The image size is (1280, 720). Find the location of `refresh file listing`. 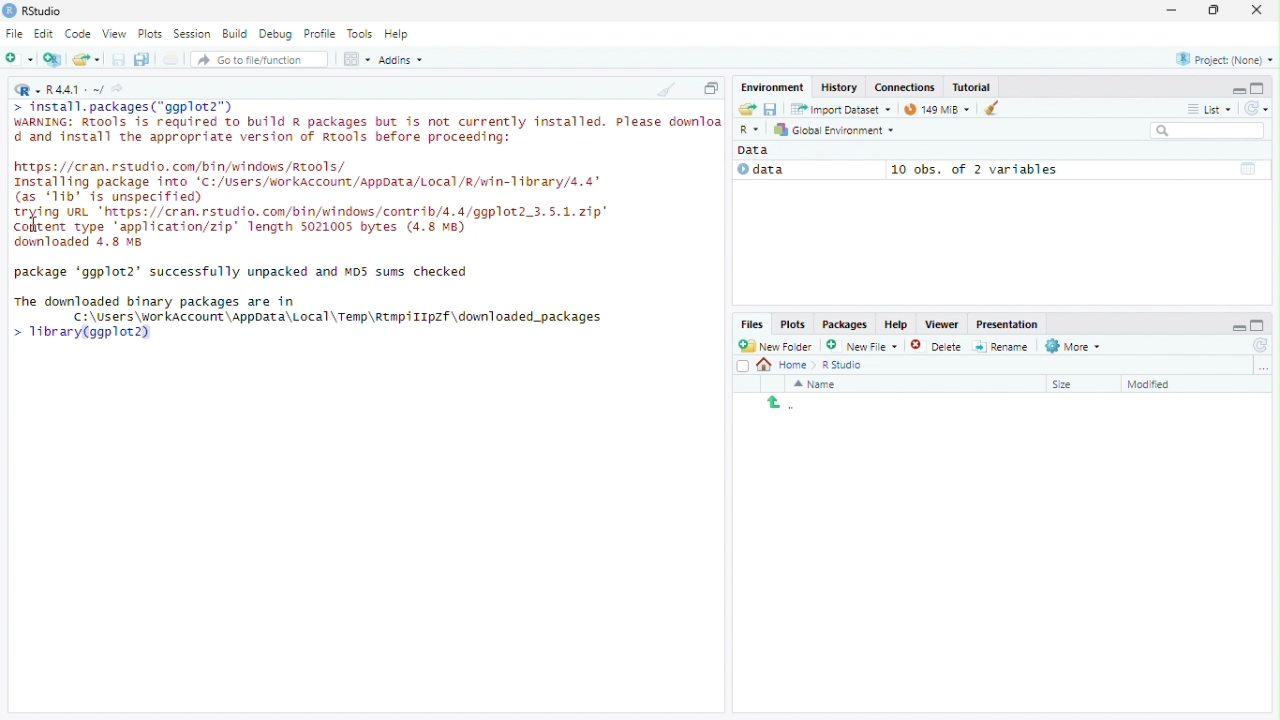

refresh file listing is located at coordinates (1261, 346).